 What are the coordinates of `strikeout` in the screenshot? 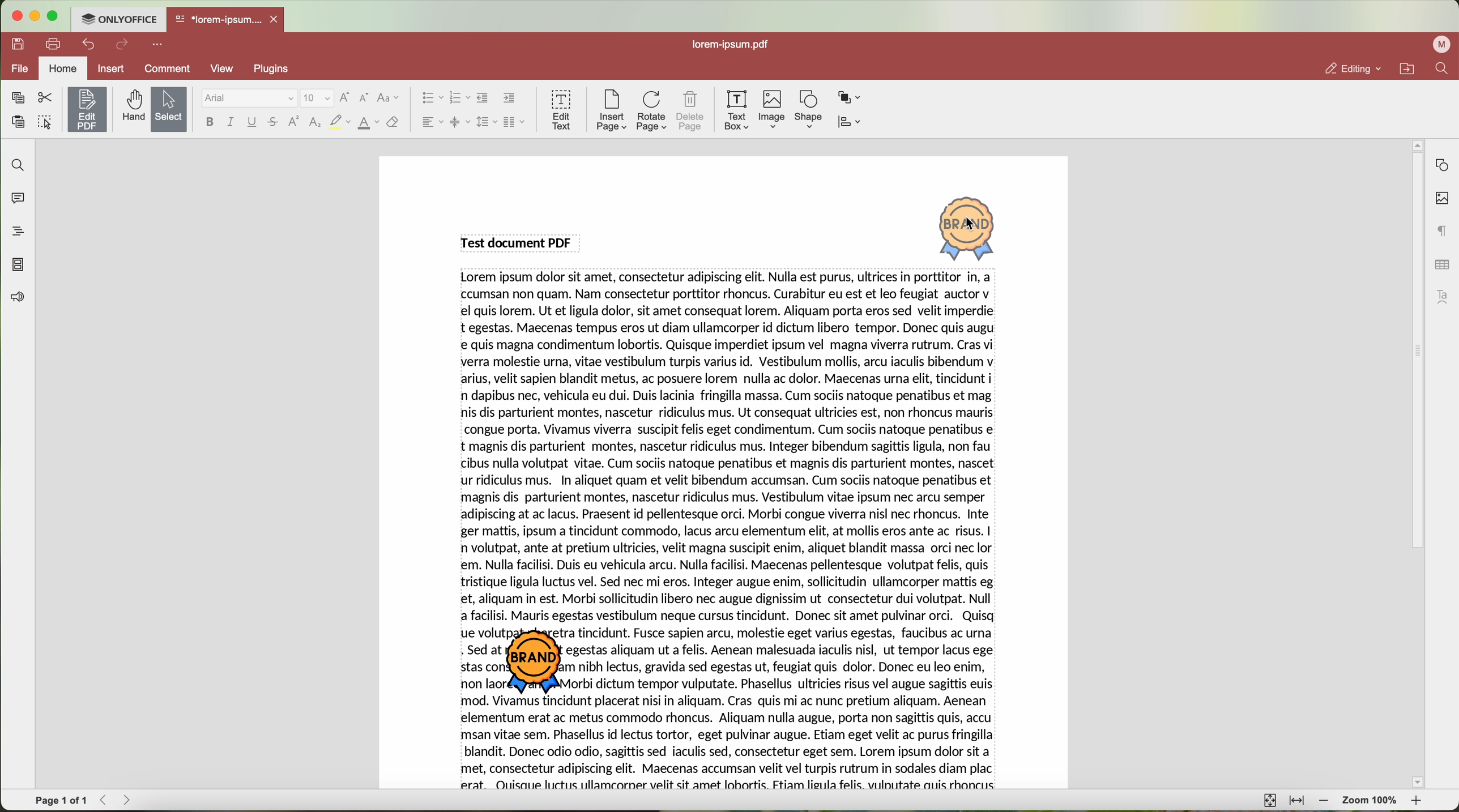 It's located at (274, 123).